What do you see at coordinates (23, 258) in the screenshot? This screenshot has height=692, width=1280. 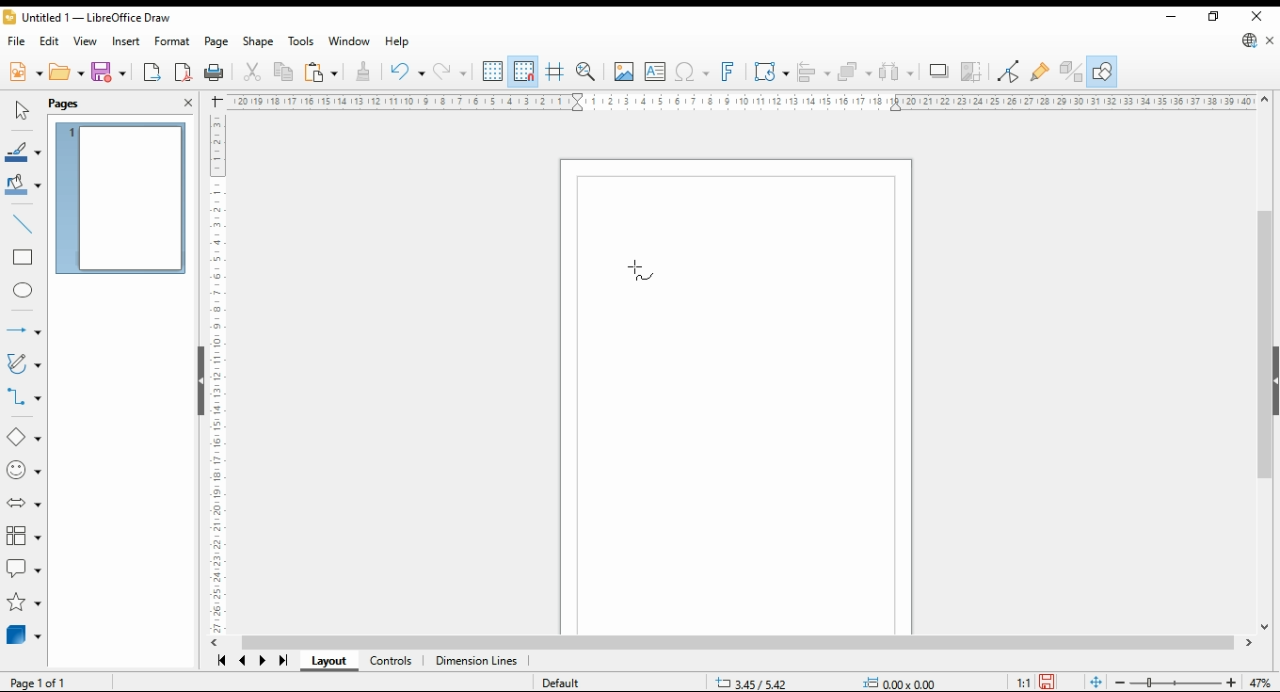 I see `rectangle` at bounding box center [23, 258].